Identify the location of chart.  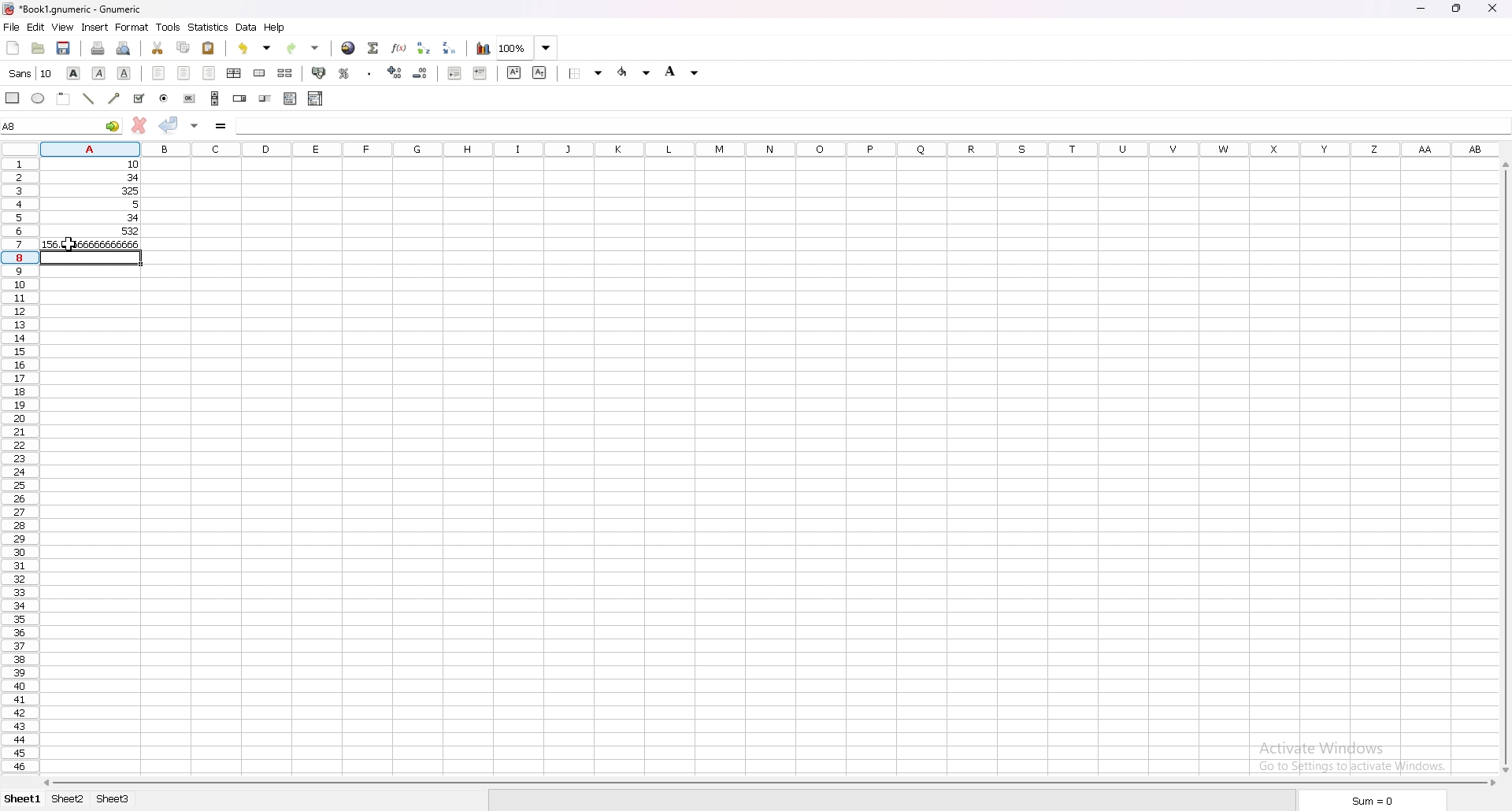
(484, 50).